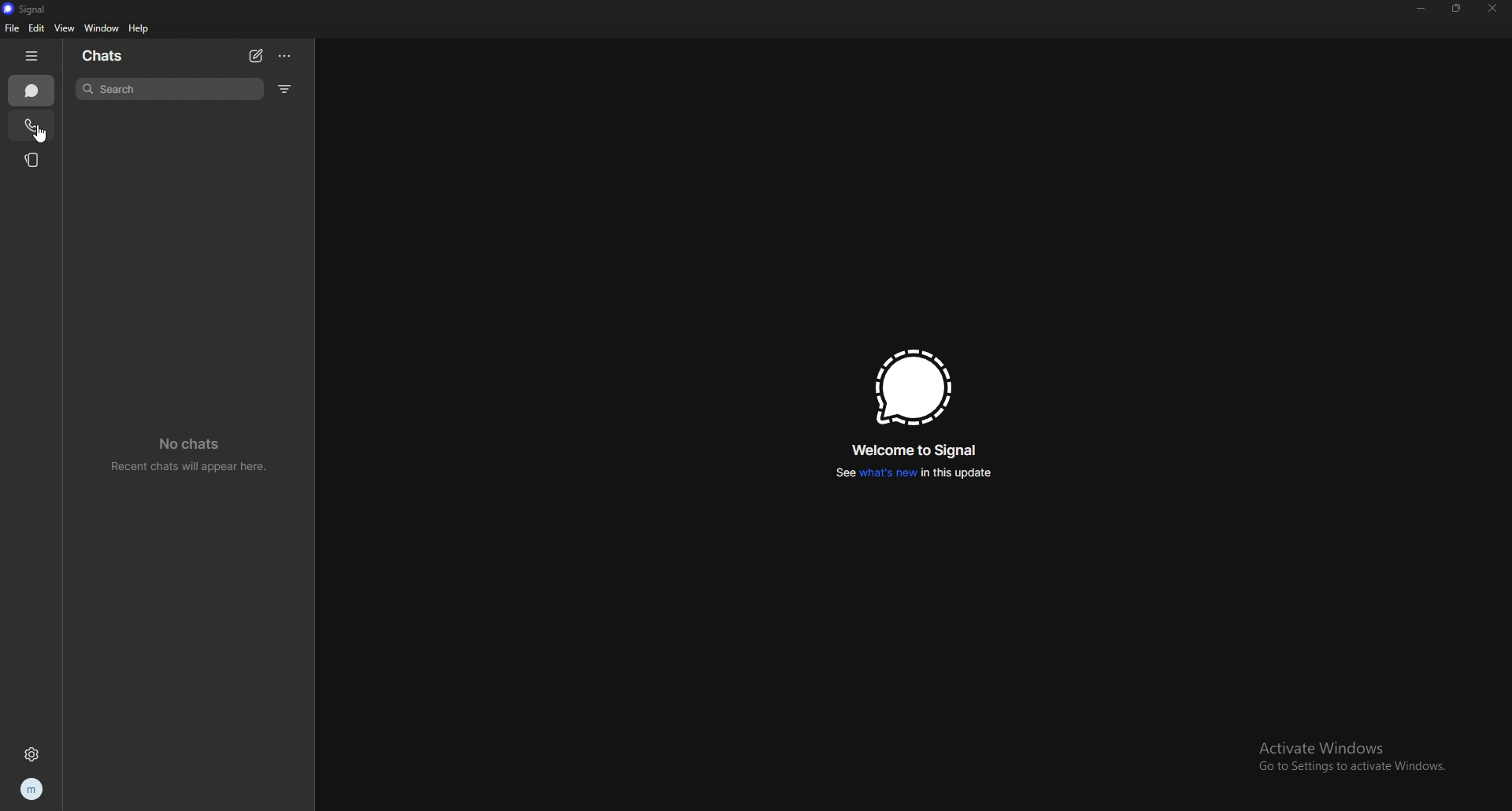 The height and width of the screenshot is (811, 1512). I want to click on whats new, so click(913, 474).